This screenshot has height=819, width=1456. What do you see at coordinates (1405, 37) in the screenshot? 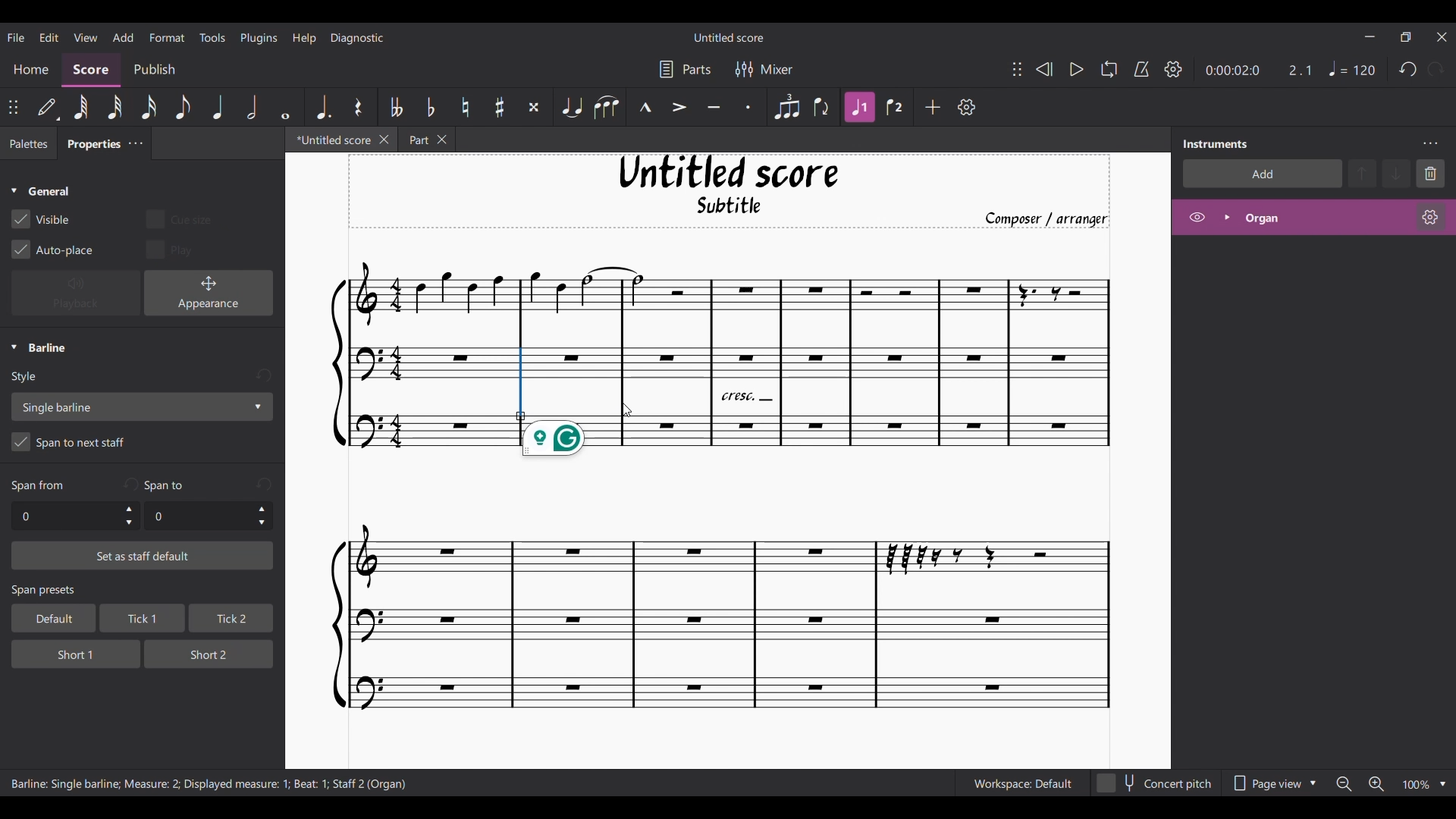
I see `Show interface in a smaller tab` at bounding box center [1405, 37].